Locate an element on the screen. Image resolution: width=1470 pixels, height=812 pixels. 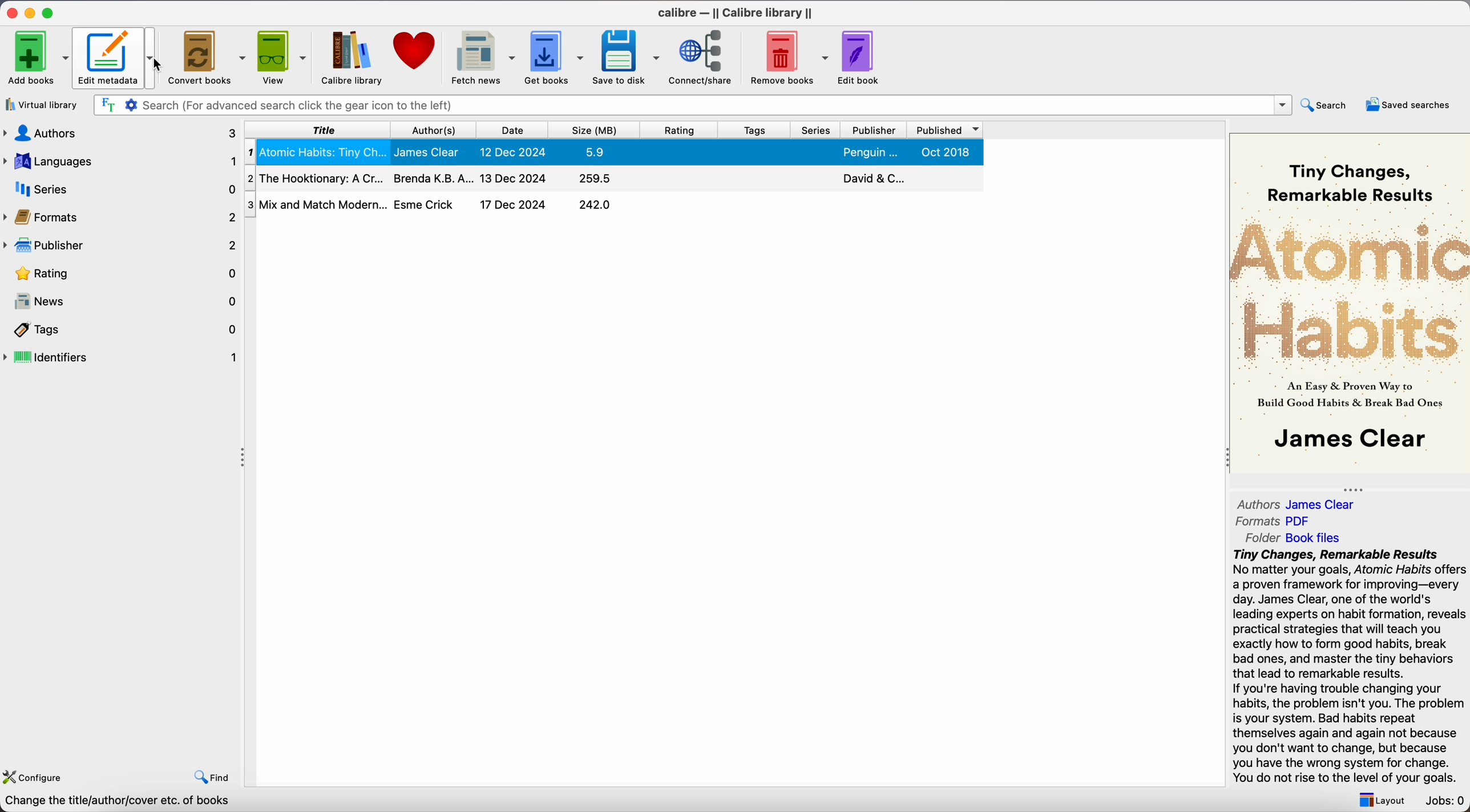
rating is located at coordinates (125, 274).